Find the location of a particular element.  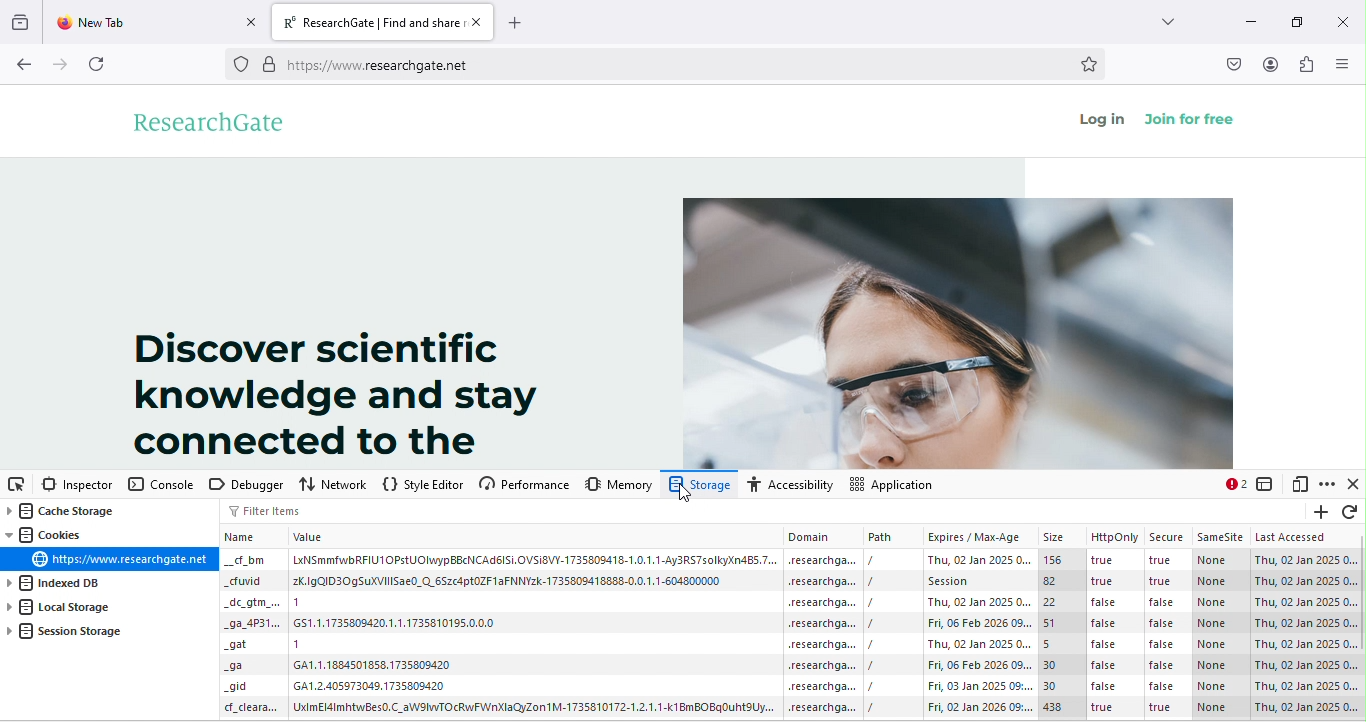

expires/max-age is located at coordinates (975, 538).